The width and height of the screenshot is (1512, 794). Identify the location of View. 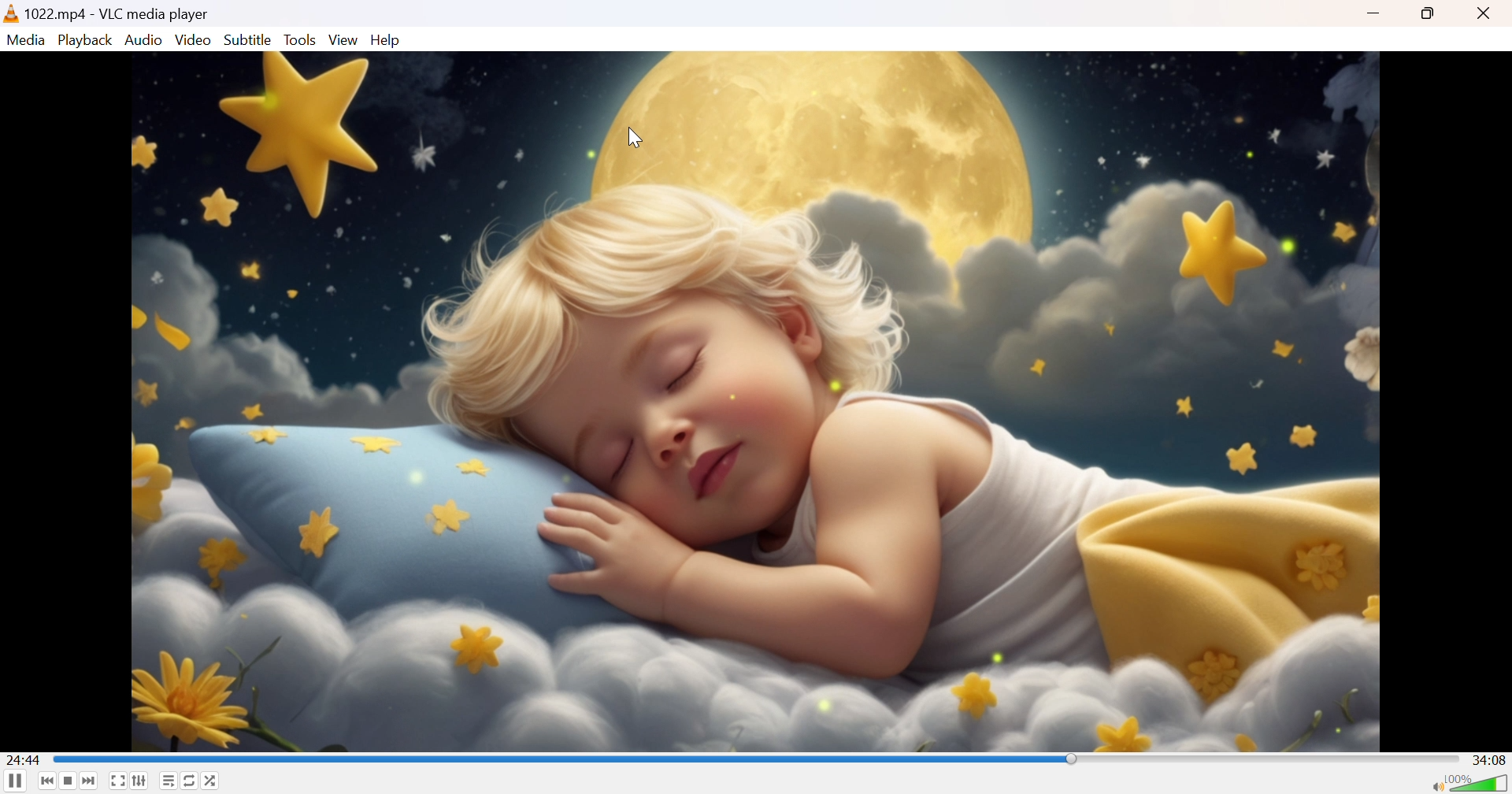
(346, 41).